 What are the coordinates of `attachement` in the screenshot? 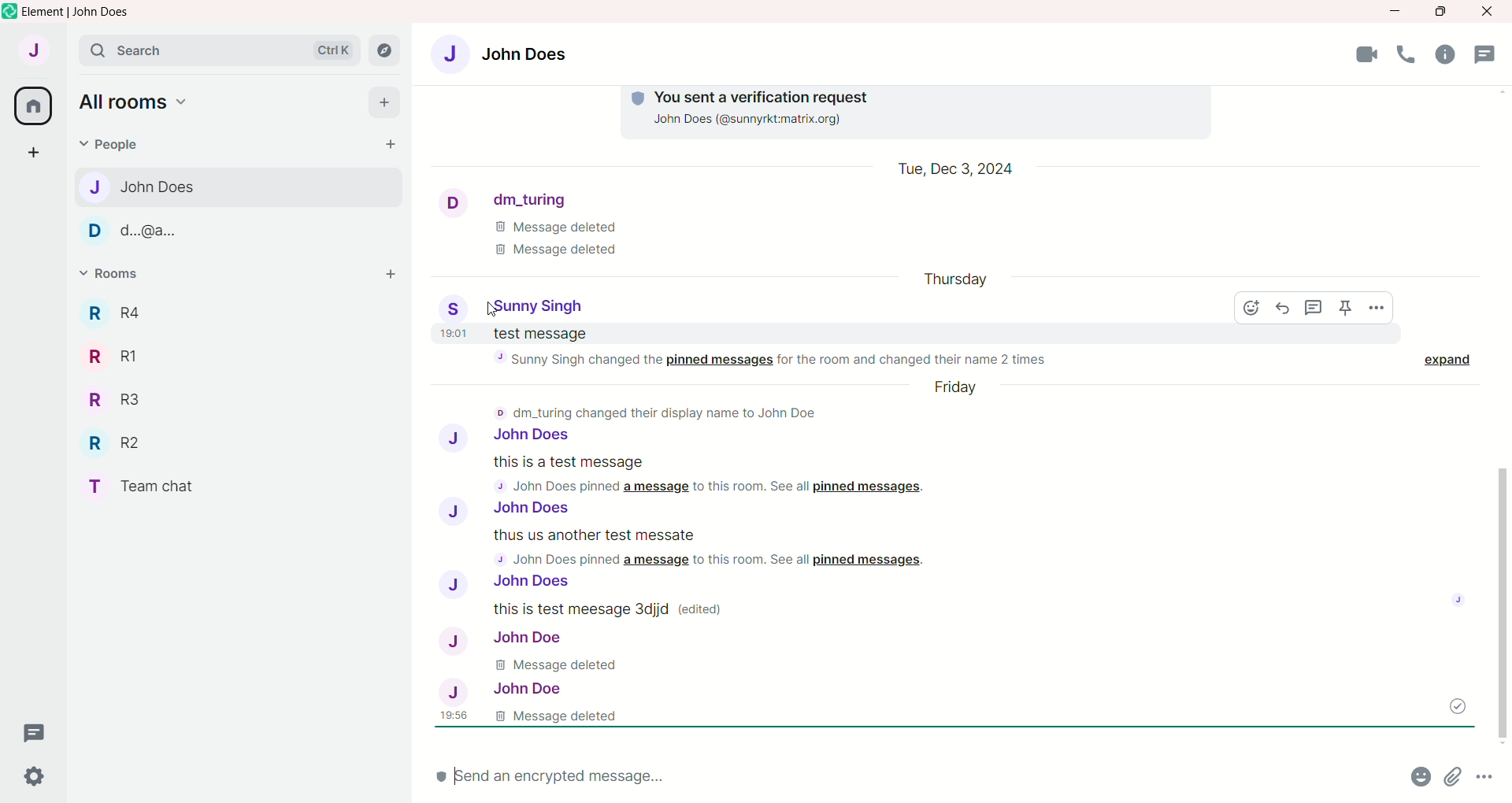 It's located at (1454, 777).